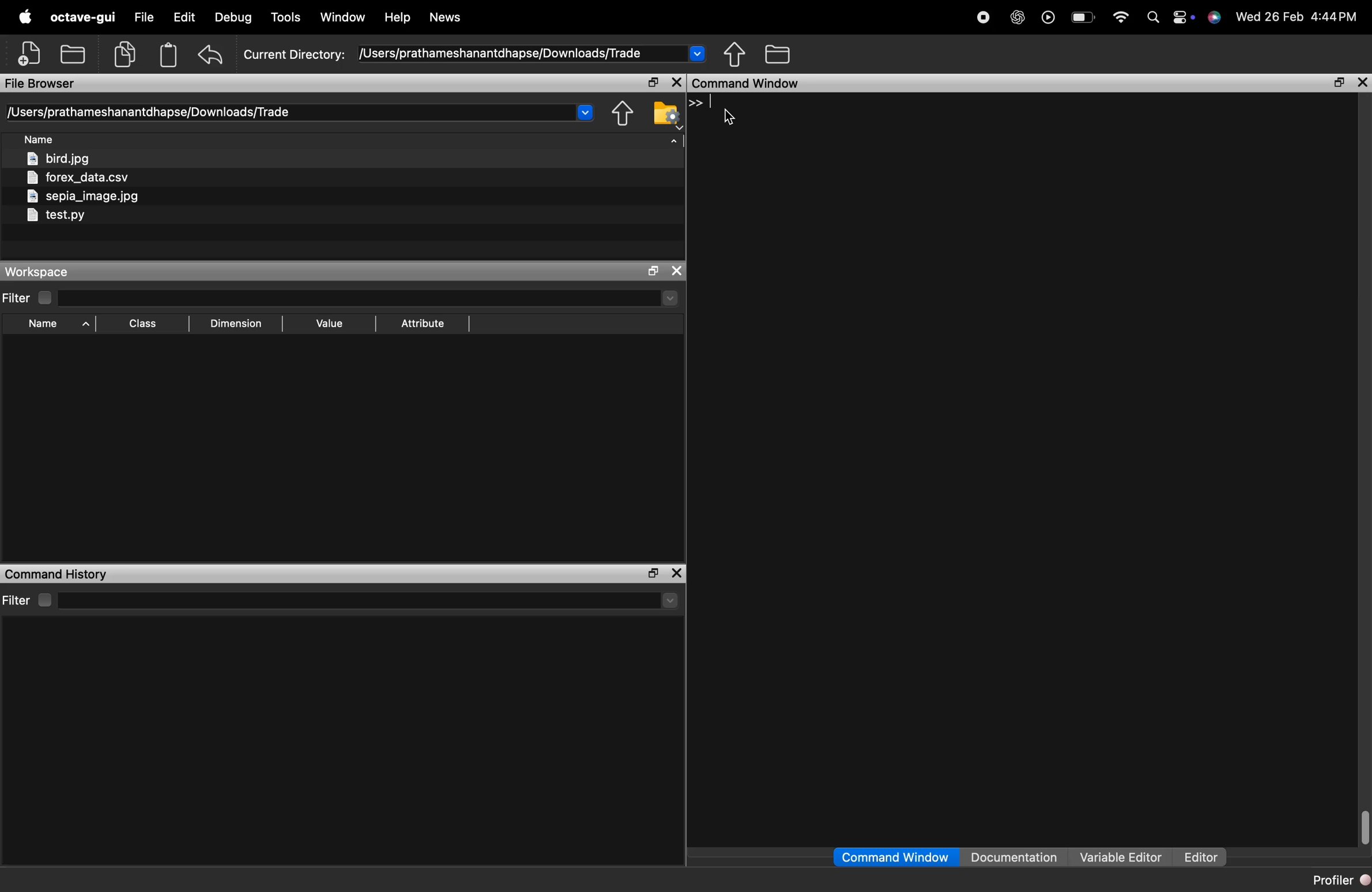 This screenshot has width=1372, height=892. What do you see at coordinates (655, 271) in the screenshot?
I see `open in separate window` at bounding box center [655, 271].